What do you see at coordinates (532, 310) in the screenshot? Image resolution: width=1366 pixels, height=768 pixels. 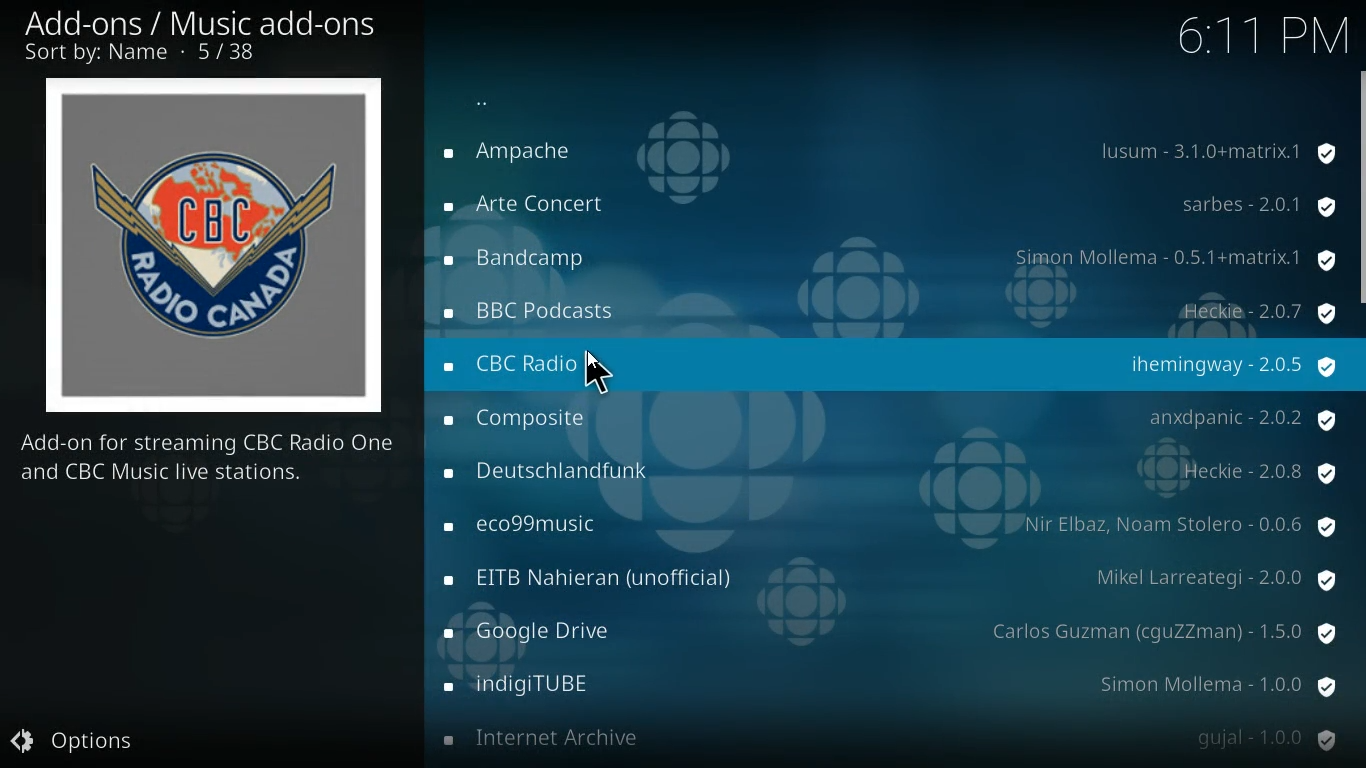 I see `radio name` at bounding box center [532, 310].